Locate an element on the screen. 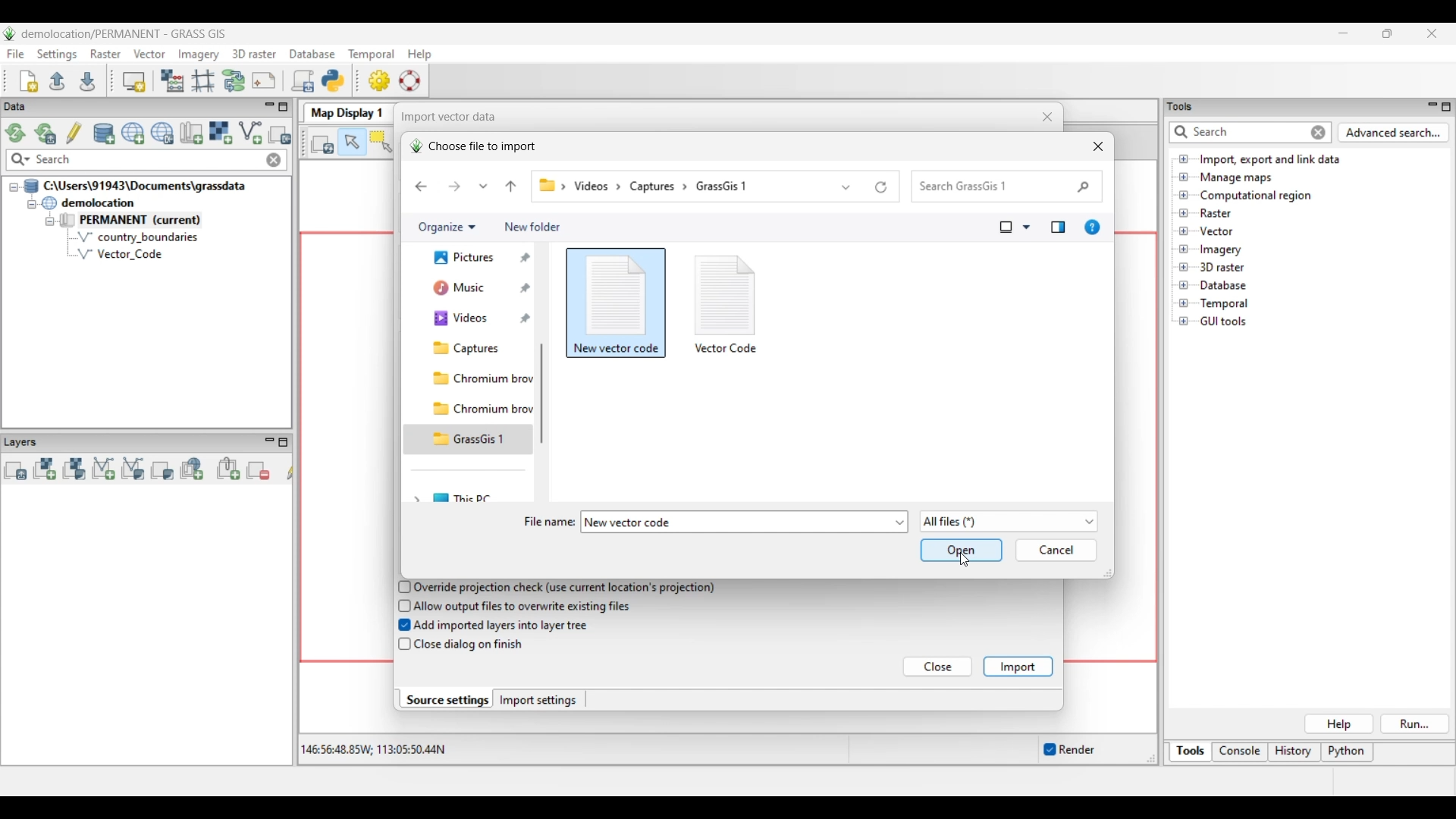 Image resolution: width=1456 pixels, height=819 pixels. checkbox is located at coordinates (401, 586).